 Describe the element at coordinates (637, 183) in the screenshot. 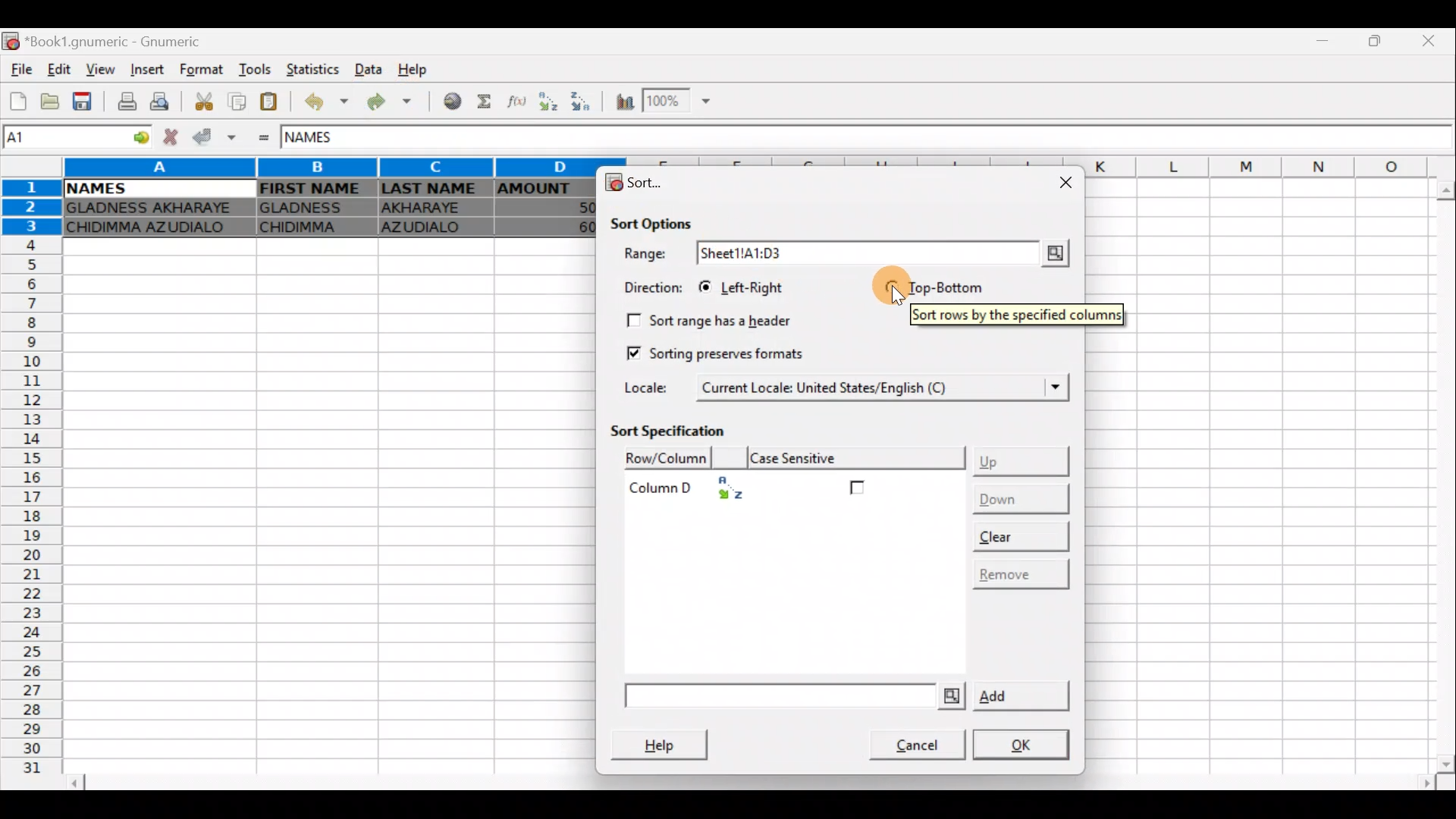

I see `Sort` at that location.